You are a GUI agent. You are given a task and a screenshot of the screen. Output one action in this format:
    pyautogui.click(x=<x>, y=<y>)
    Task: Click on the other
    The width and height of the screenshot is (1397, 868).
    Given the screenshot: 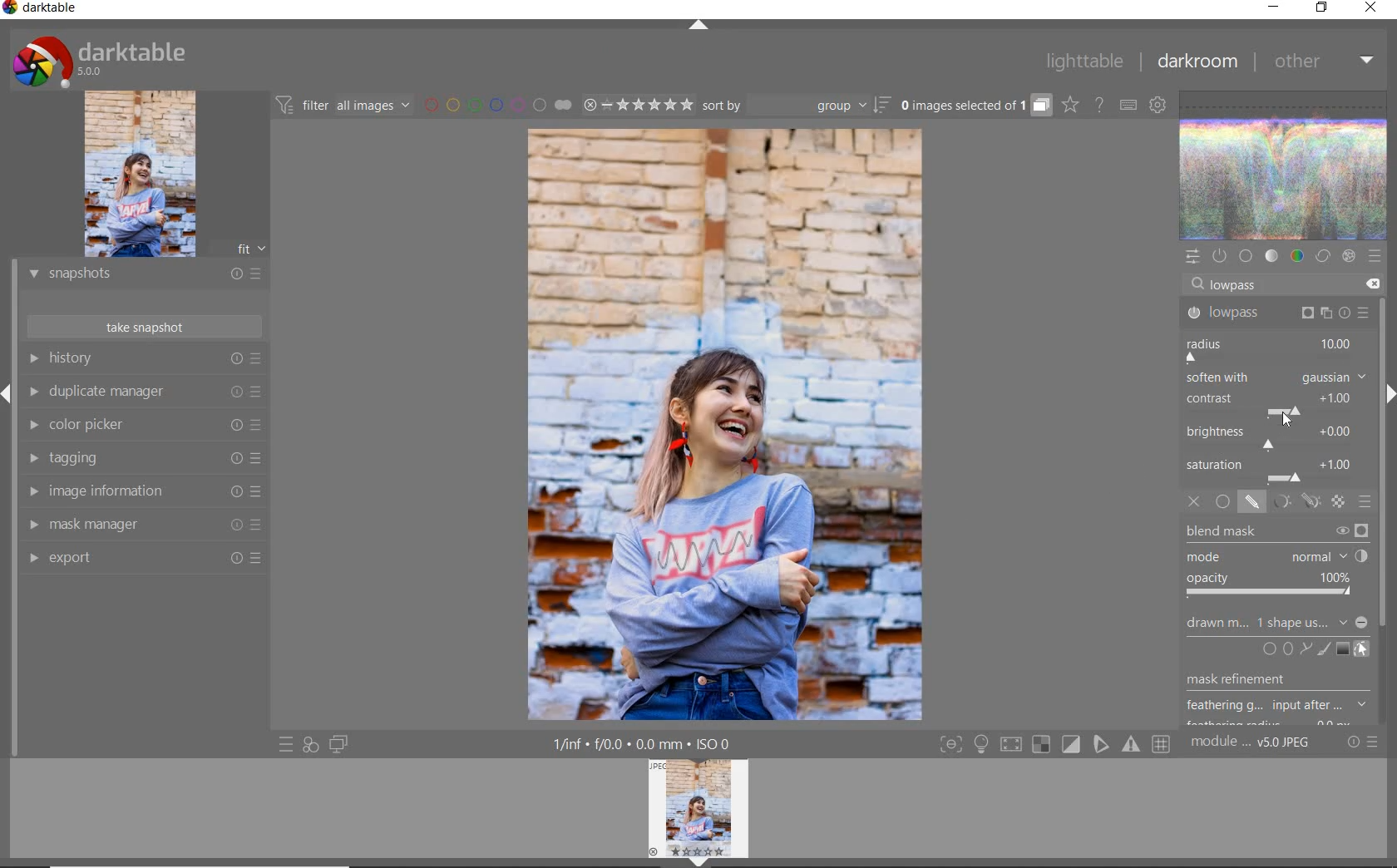 What is the action you would take?
    pyautogui.click(x=1323, y=65)
    